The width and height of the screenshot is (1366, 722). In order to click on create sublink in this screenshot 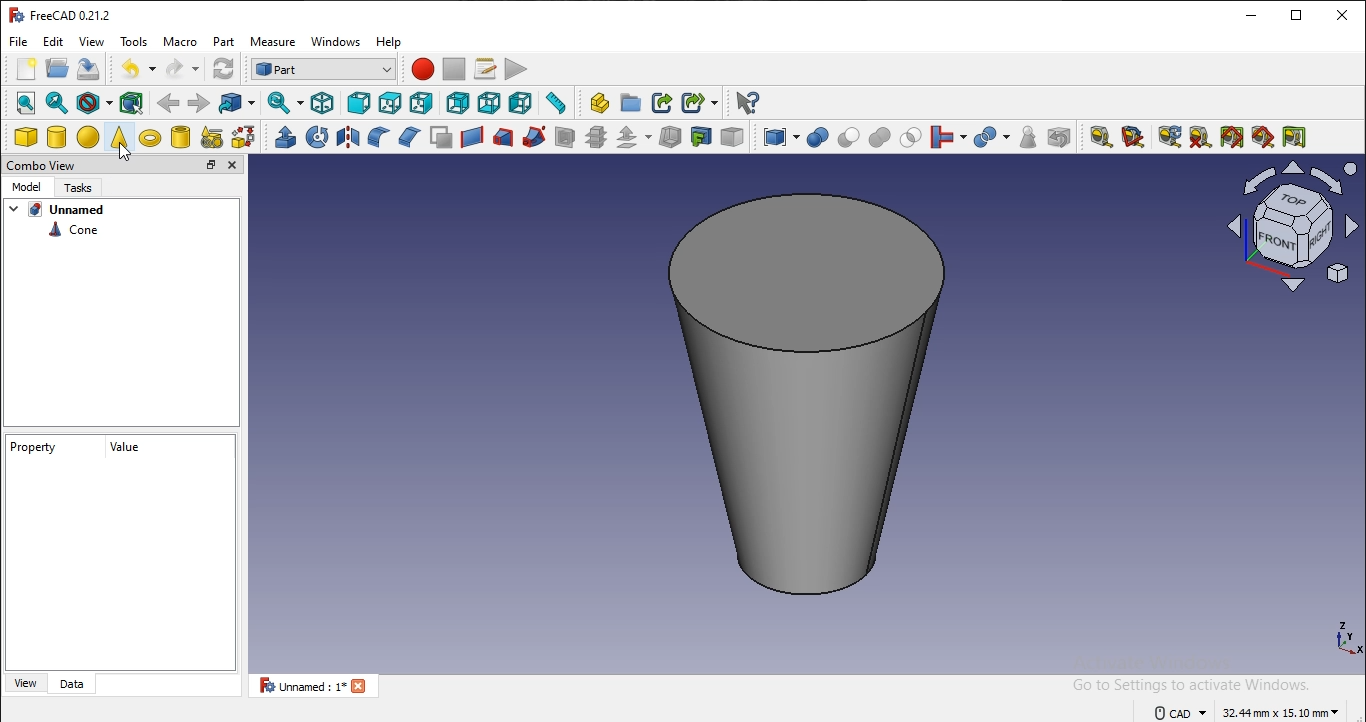, I will do `click(693, 101)`.